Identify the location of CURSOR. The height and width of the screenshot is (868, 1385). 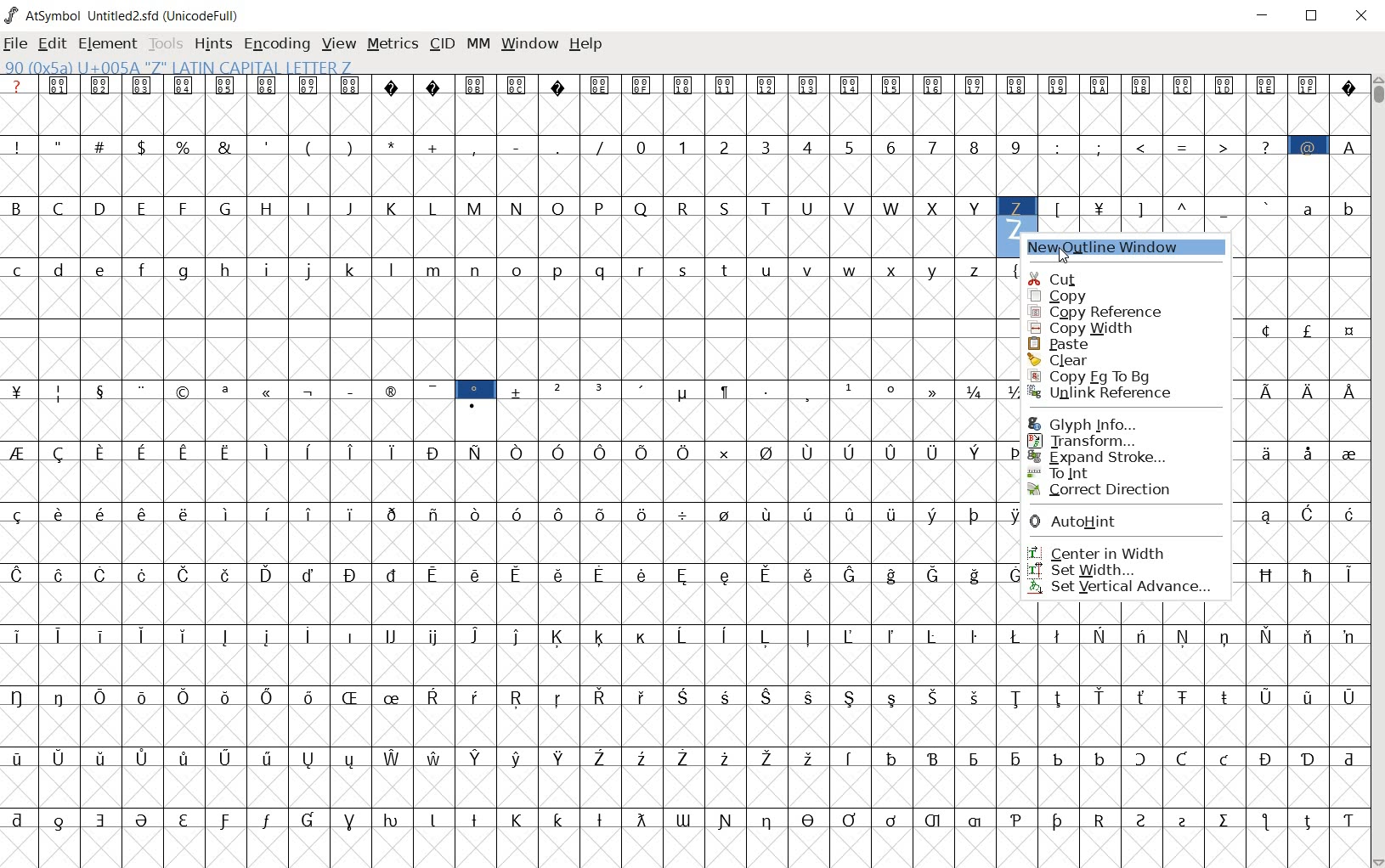
(1064, 252).